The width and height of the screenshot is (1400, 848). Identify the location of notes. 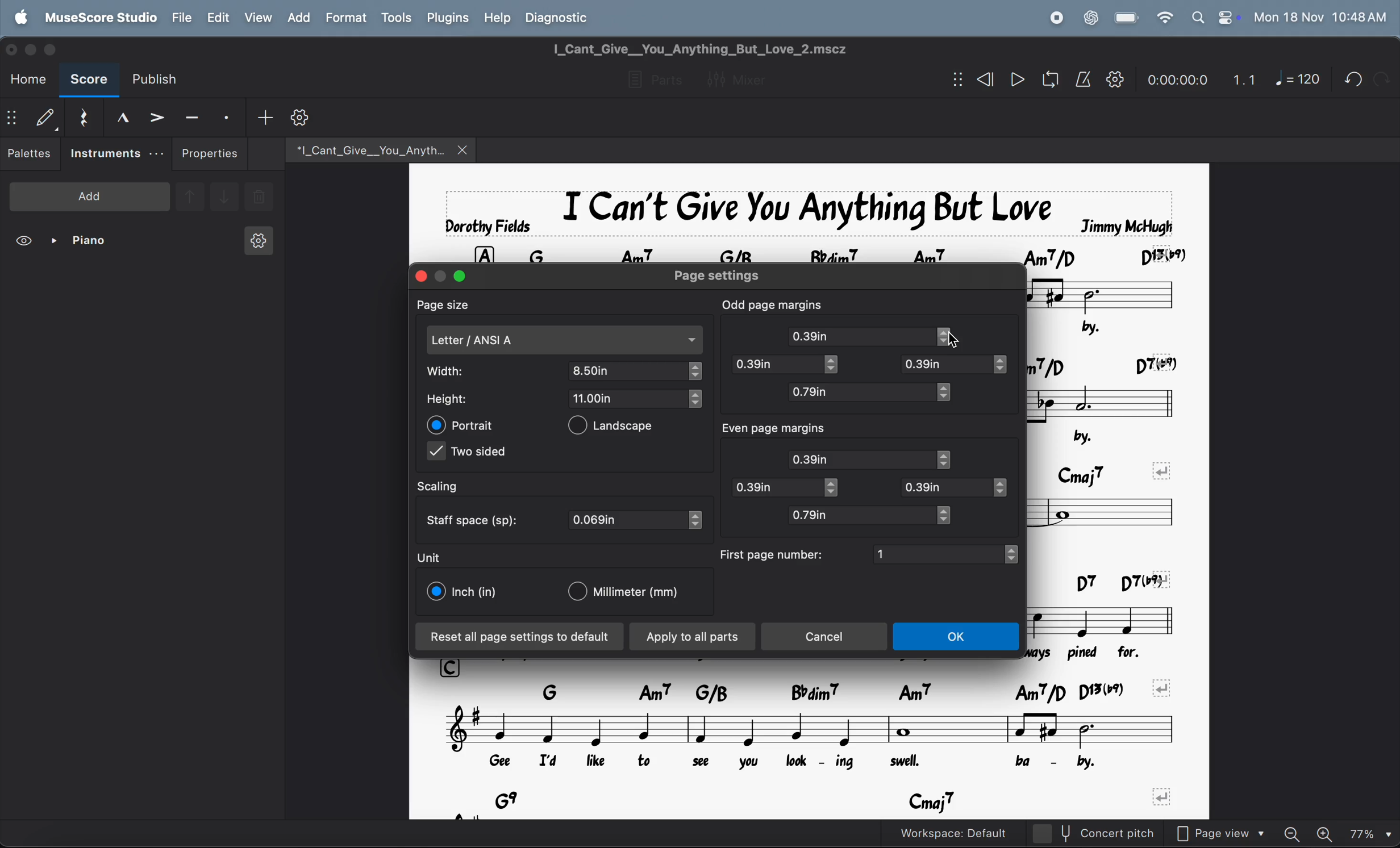
(813, 730).